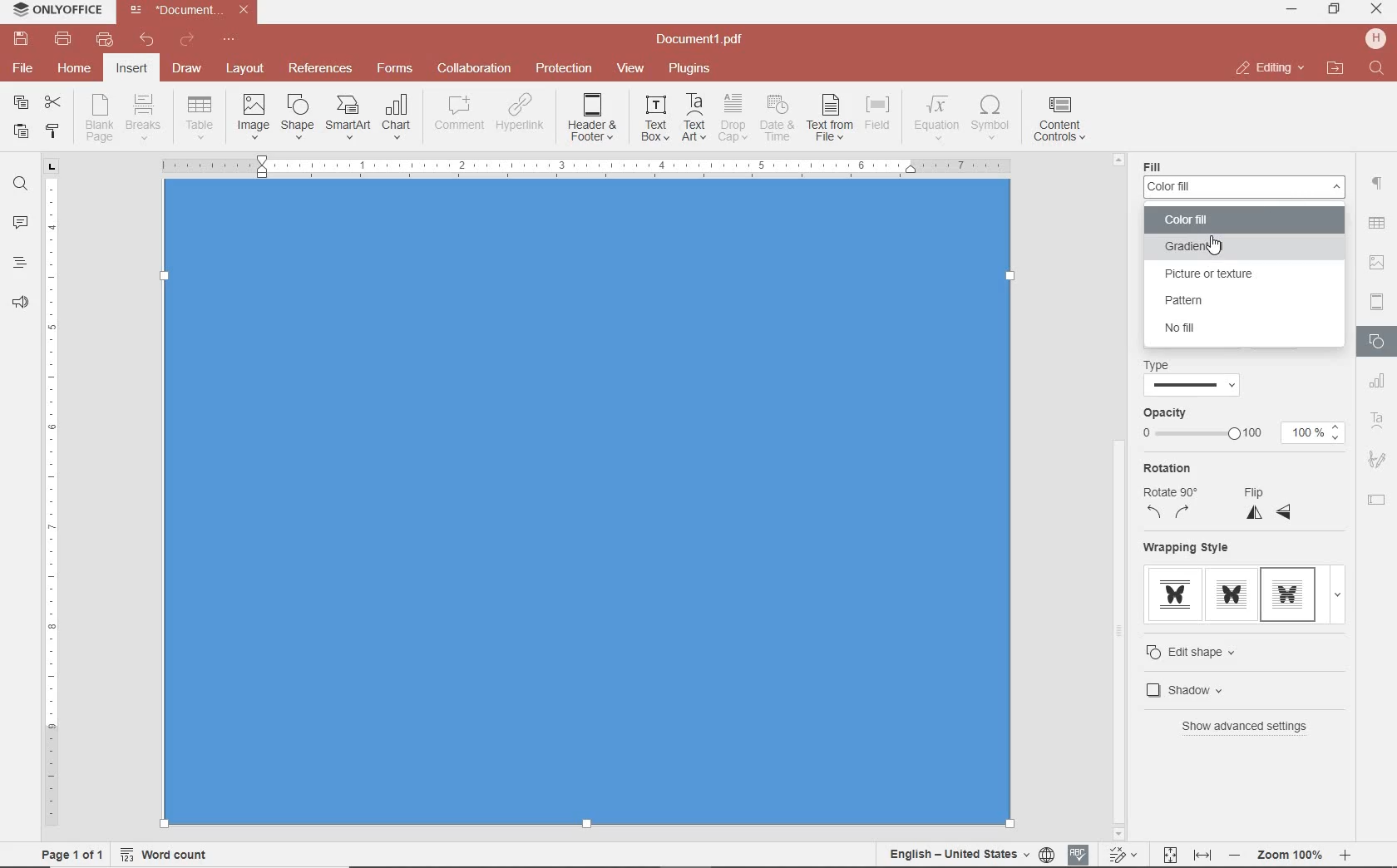 Image resolution: width=1397 pixels, height=868 pixels. What do you see at coordinates (185, 42) in the screenshot?
I see `redo` at bounding box center [185, 42].